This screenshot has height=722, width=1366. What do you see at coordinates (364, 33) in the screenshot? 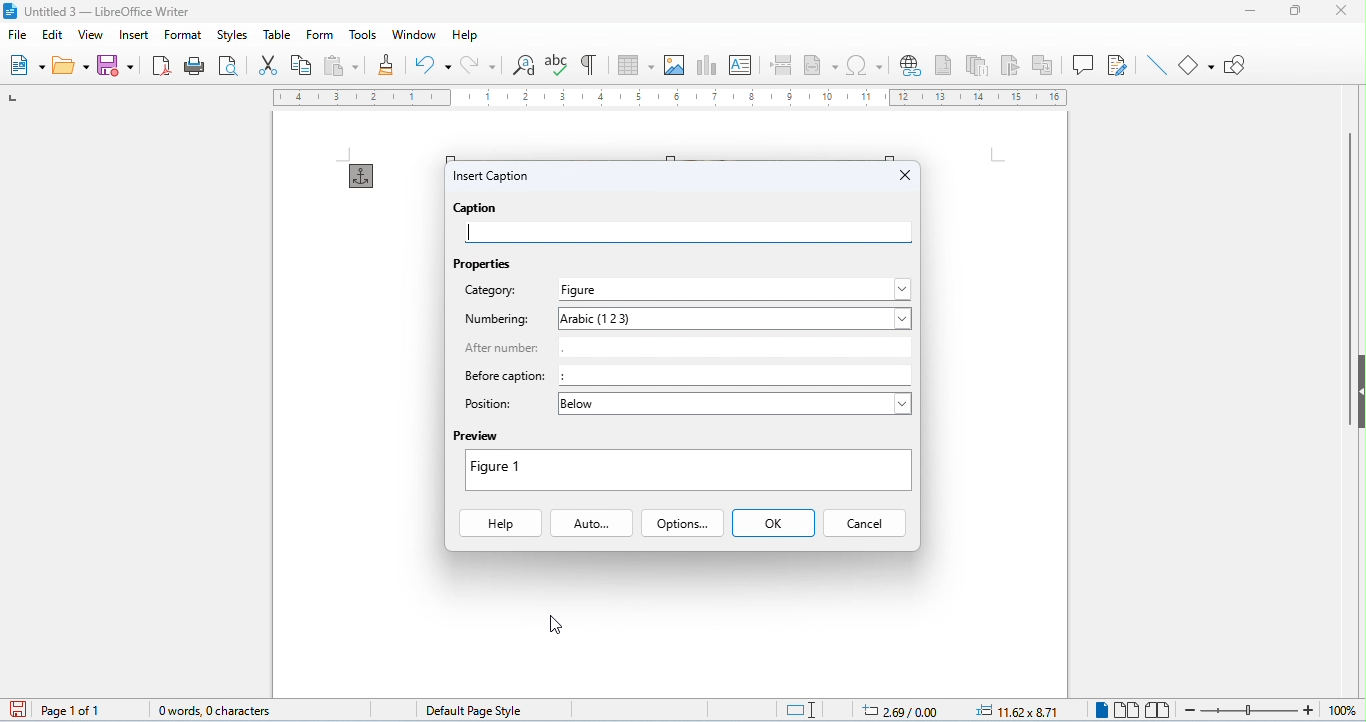
I see `tools` at bounding box center [364, 33].